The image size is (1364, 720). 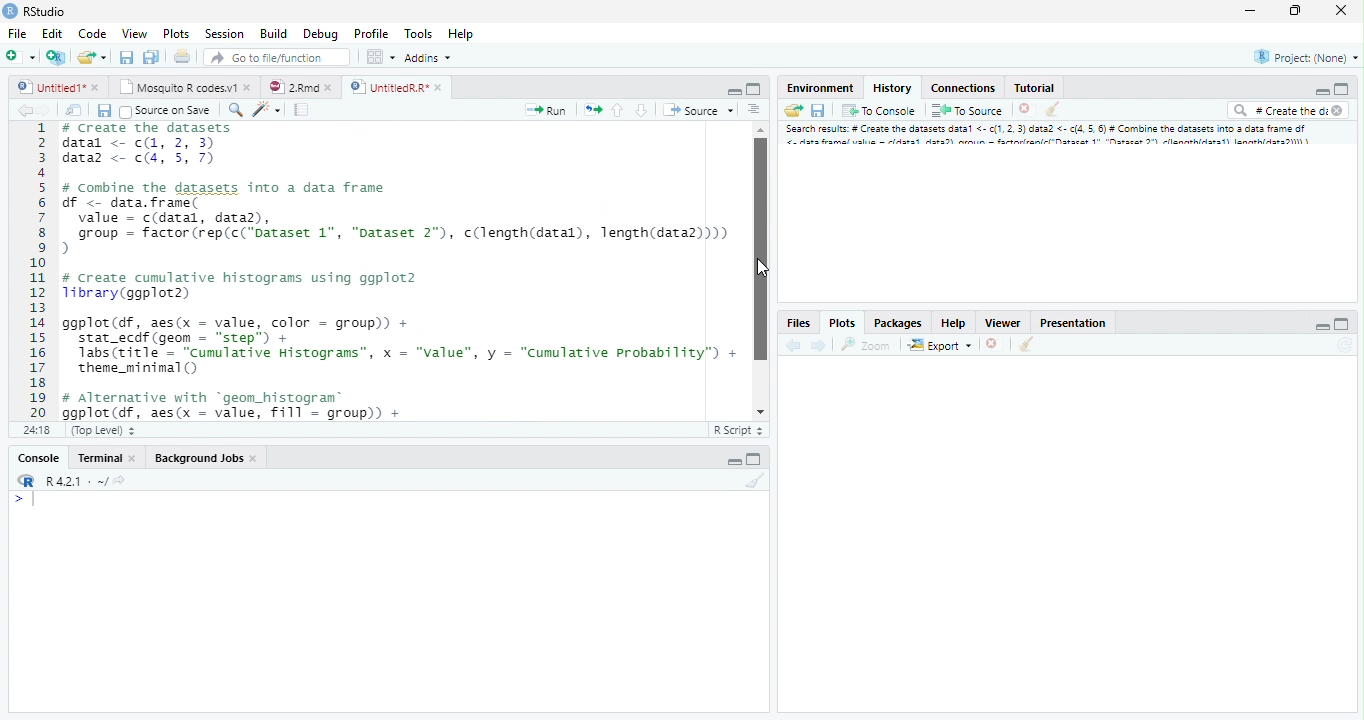 What do you see at coordinates (275, 34) in the screenshot?
I see `Build` at bounding box center [275, 34].